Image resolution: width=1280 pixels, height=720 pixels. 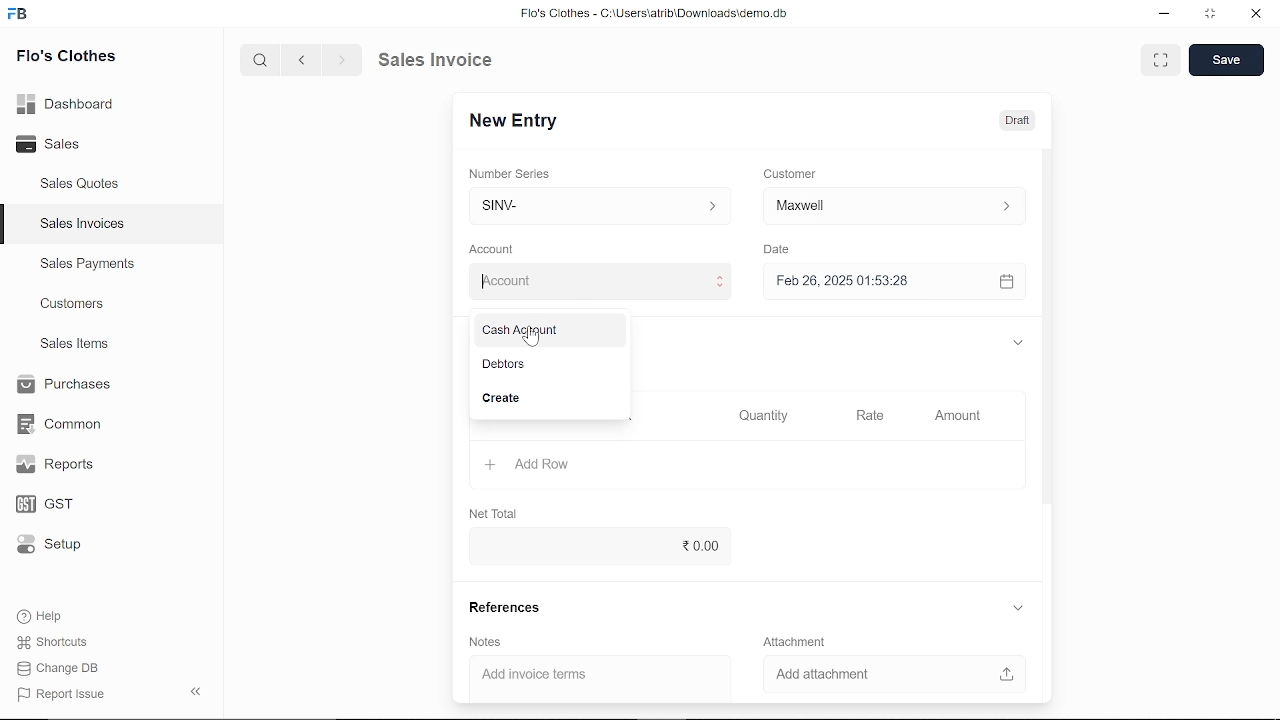 What do you see at coordinates (70, 145) in the screenshot?
I see `Sales` at bounding box center [70, 145].